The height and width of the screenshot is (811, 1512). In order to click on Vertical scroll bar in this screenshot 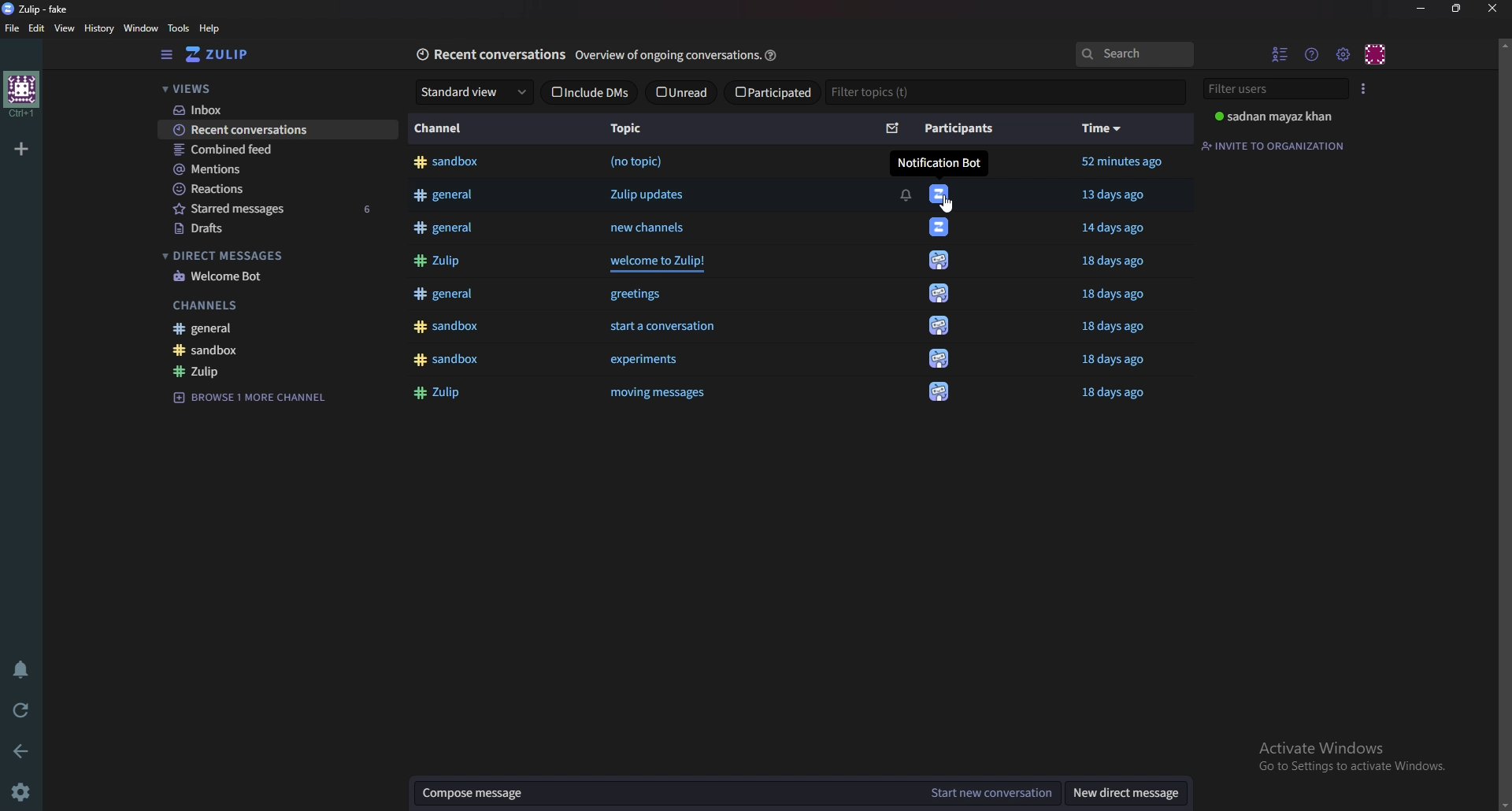, I will do `click(1503, 422)`.